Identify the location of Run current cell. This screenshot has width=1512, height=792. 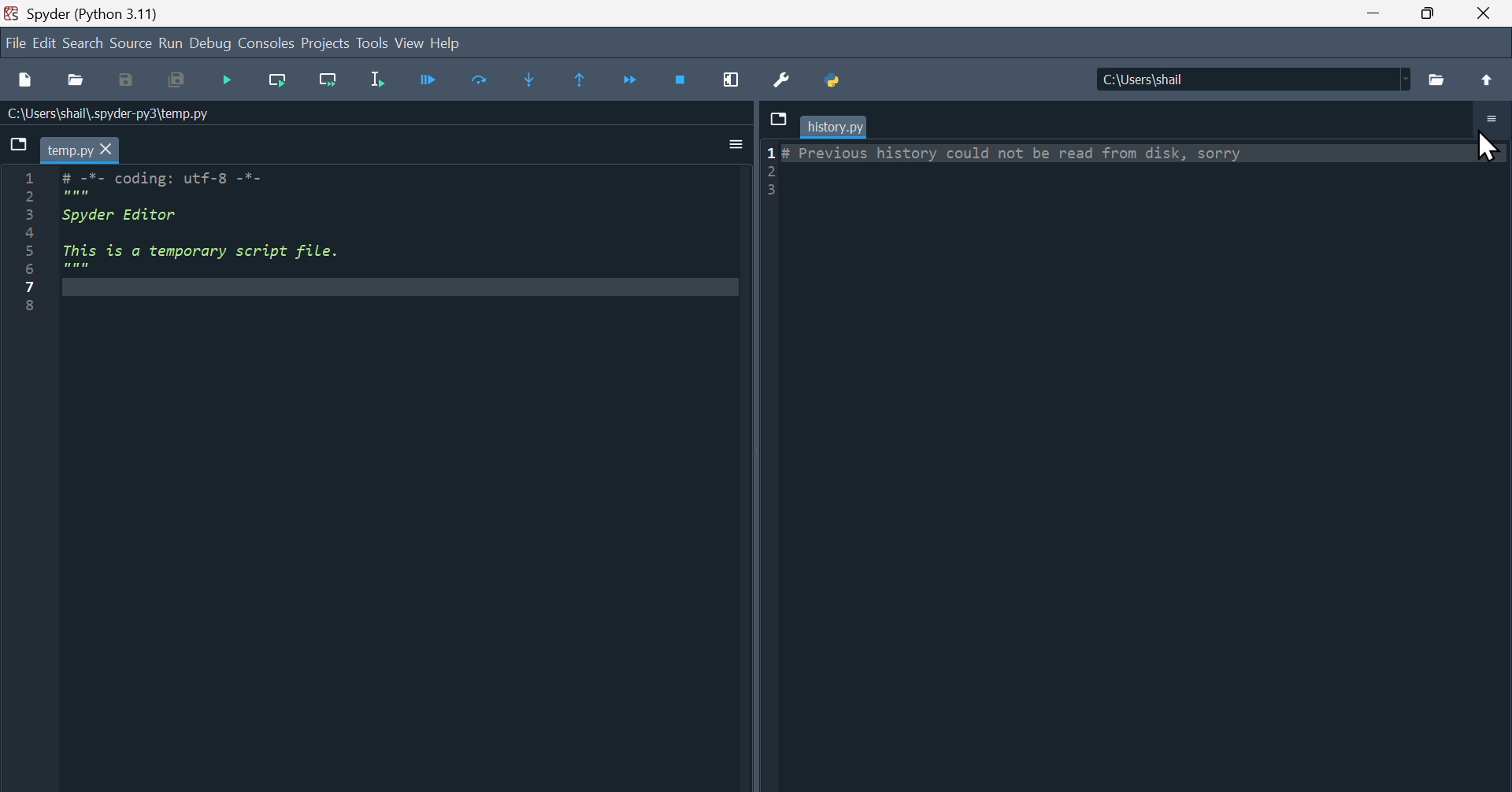
(487, 81).